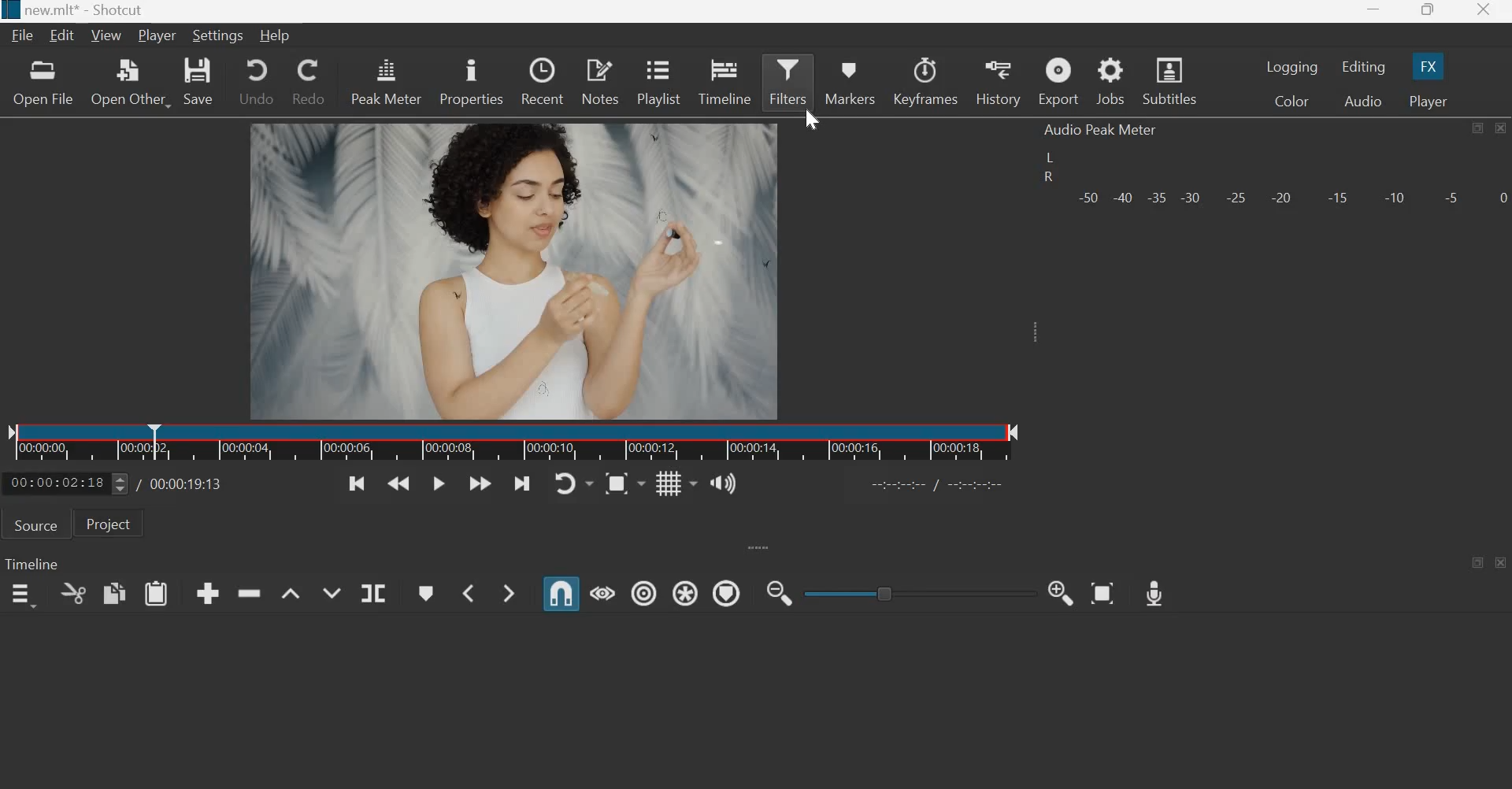  I want to click on Editing, so click(1362, 67).